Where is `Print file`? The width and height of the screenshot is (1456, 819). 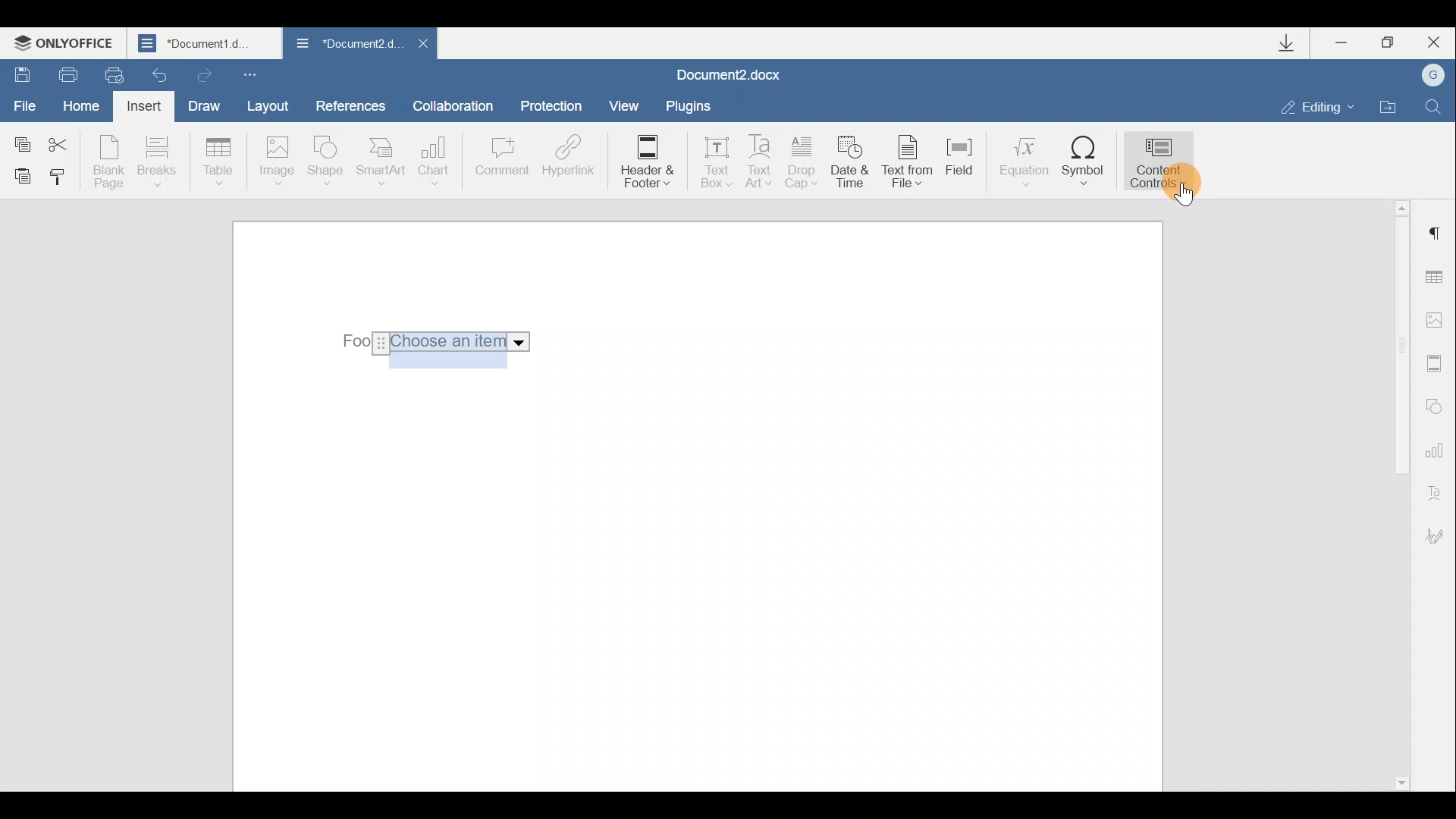 Print file is located at coordinates (60, 74).